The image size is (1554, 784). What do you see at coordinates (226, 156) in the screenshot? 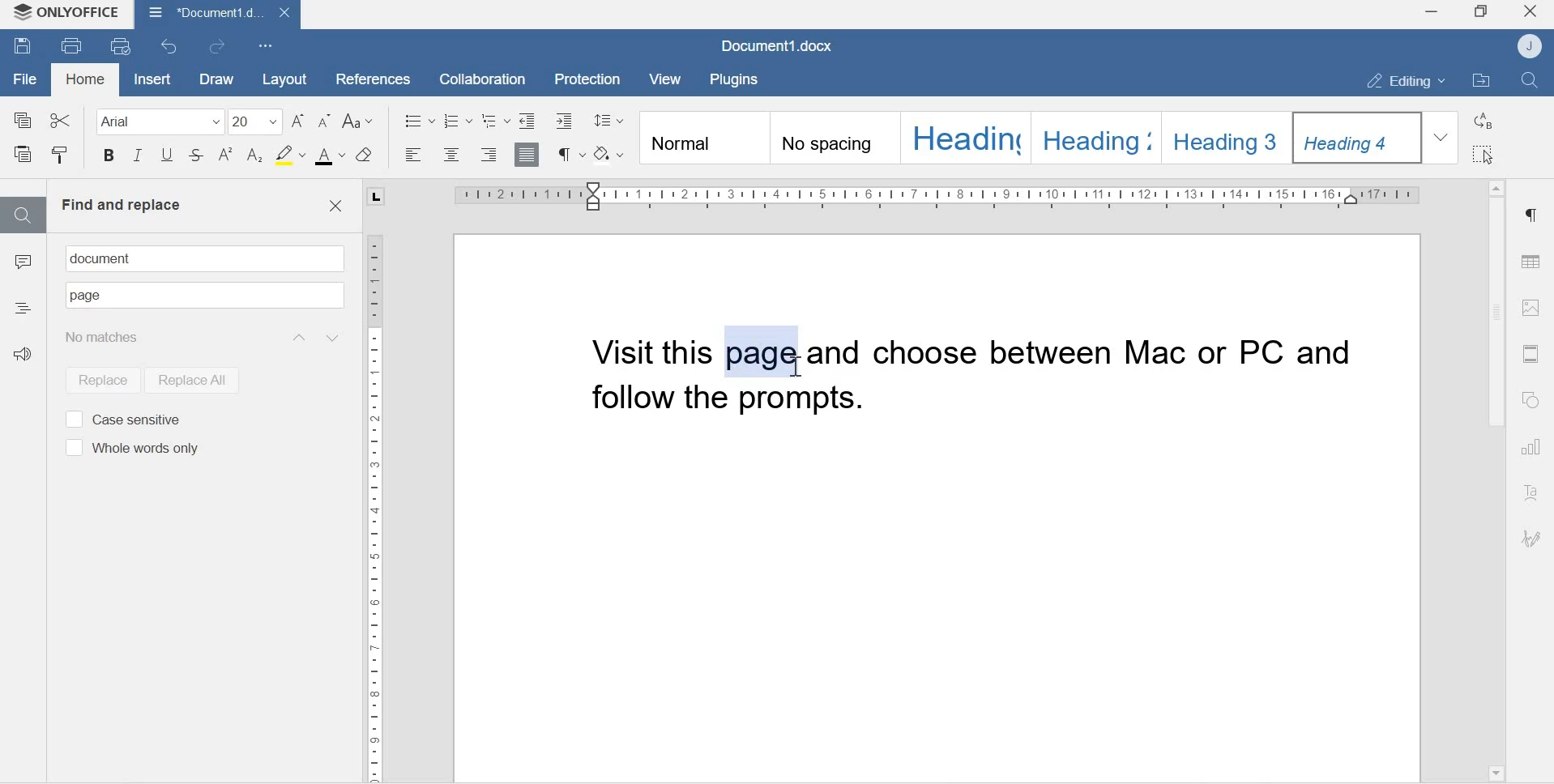
I see `Superscript` at bounding box center [226, 156].